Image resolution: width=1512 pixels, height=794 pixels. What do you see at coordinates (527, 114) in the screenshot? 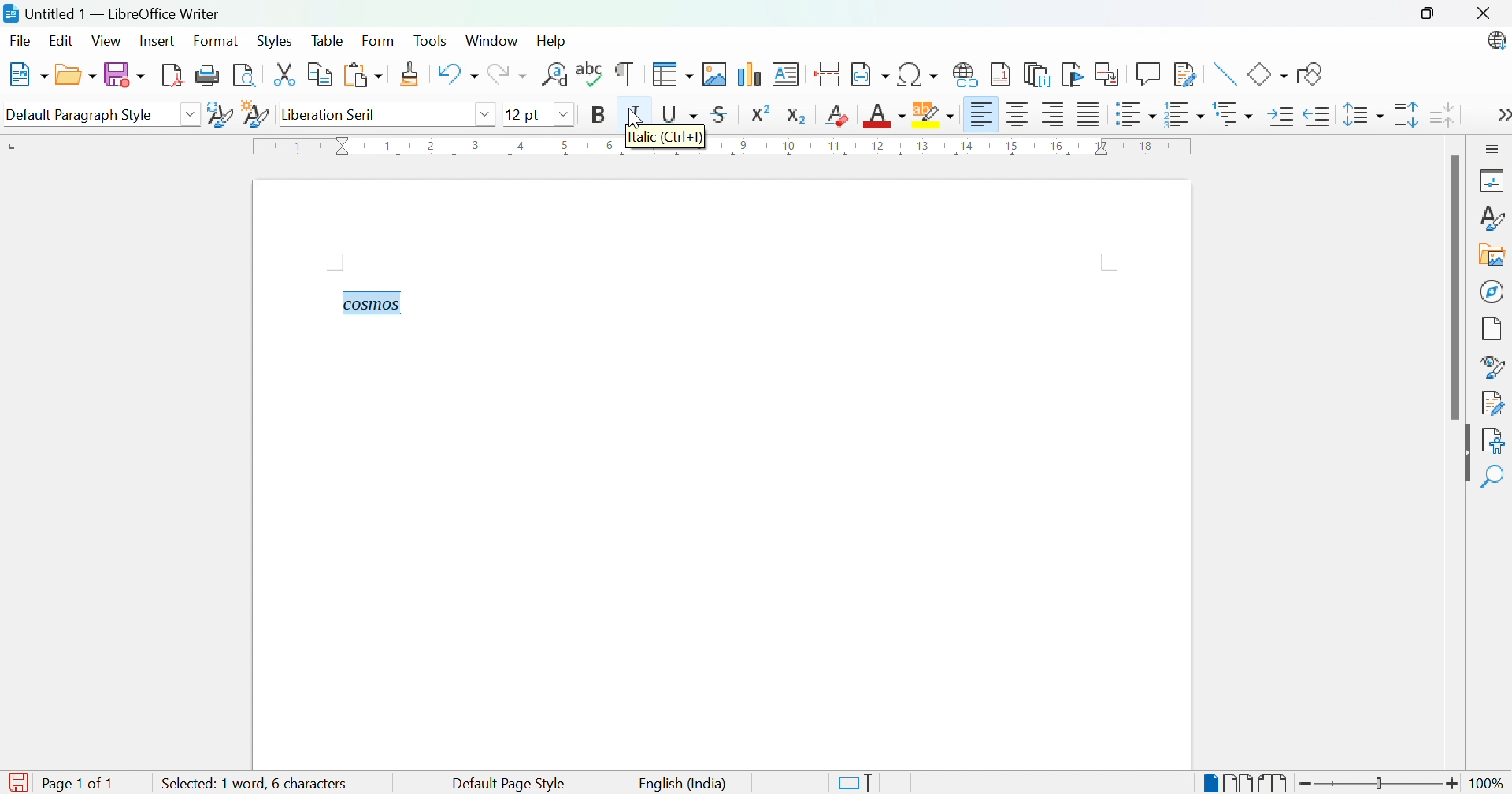
I see `12 pt` at bounding box center [527, 114].